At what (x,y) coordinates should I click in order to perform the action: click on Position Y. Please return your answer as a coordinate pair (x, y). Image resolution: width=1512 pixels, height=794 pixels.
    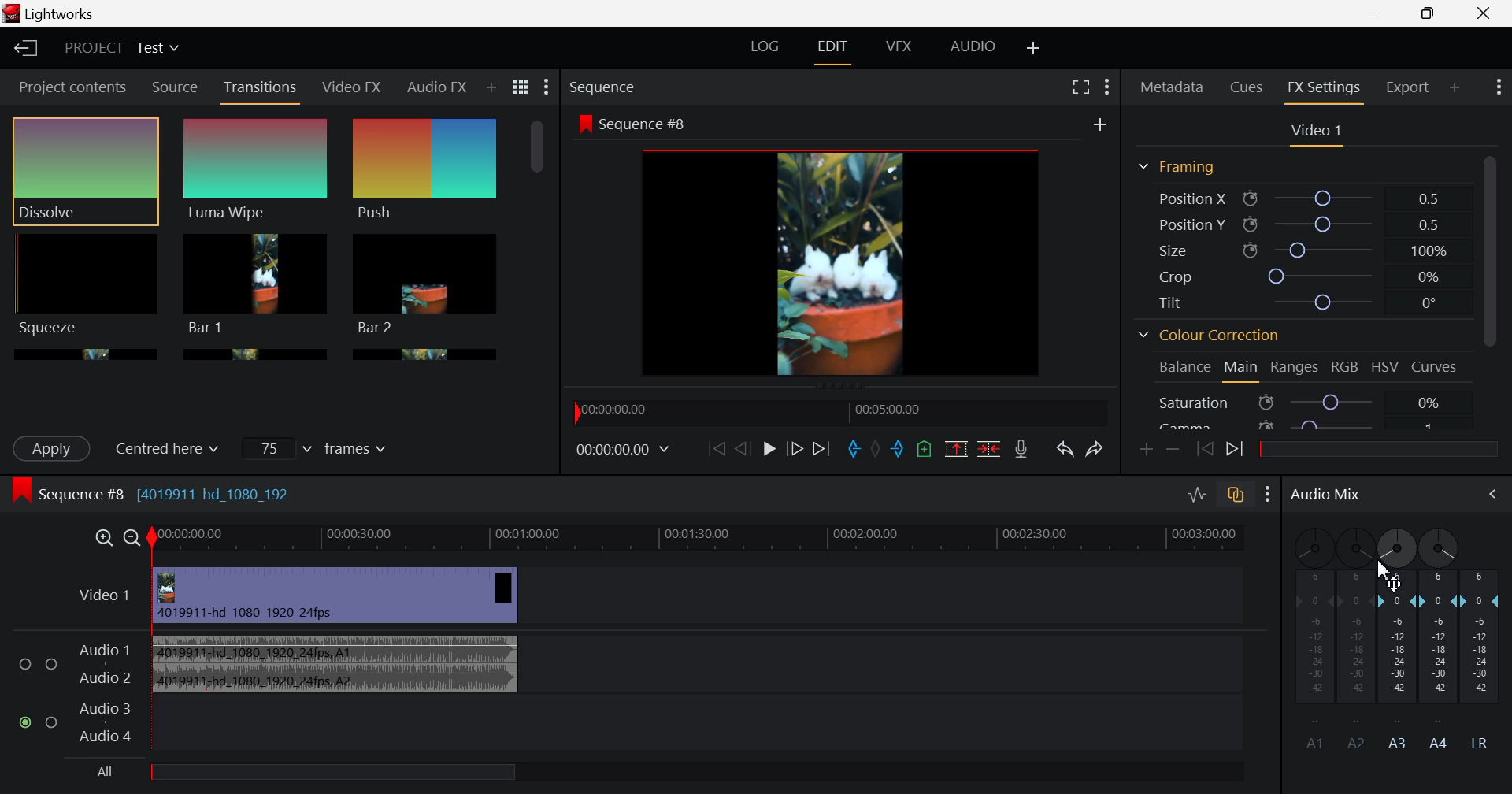
    Looking at the image, I should click on (1301, 221).